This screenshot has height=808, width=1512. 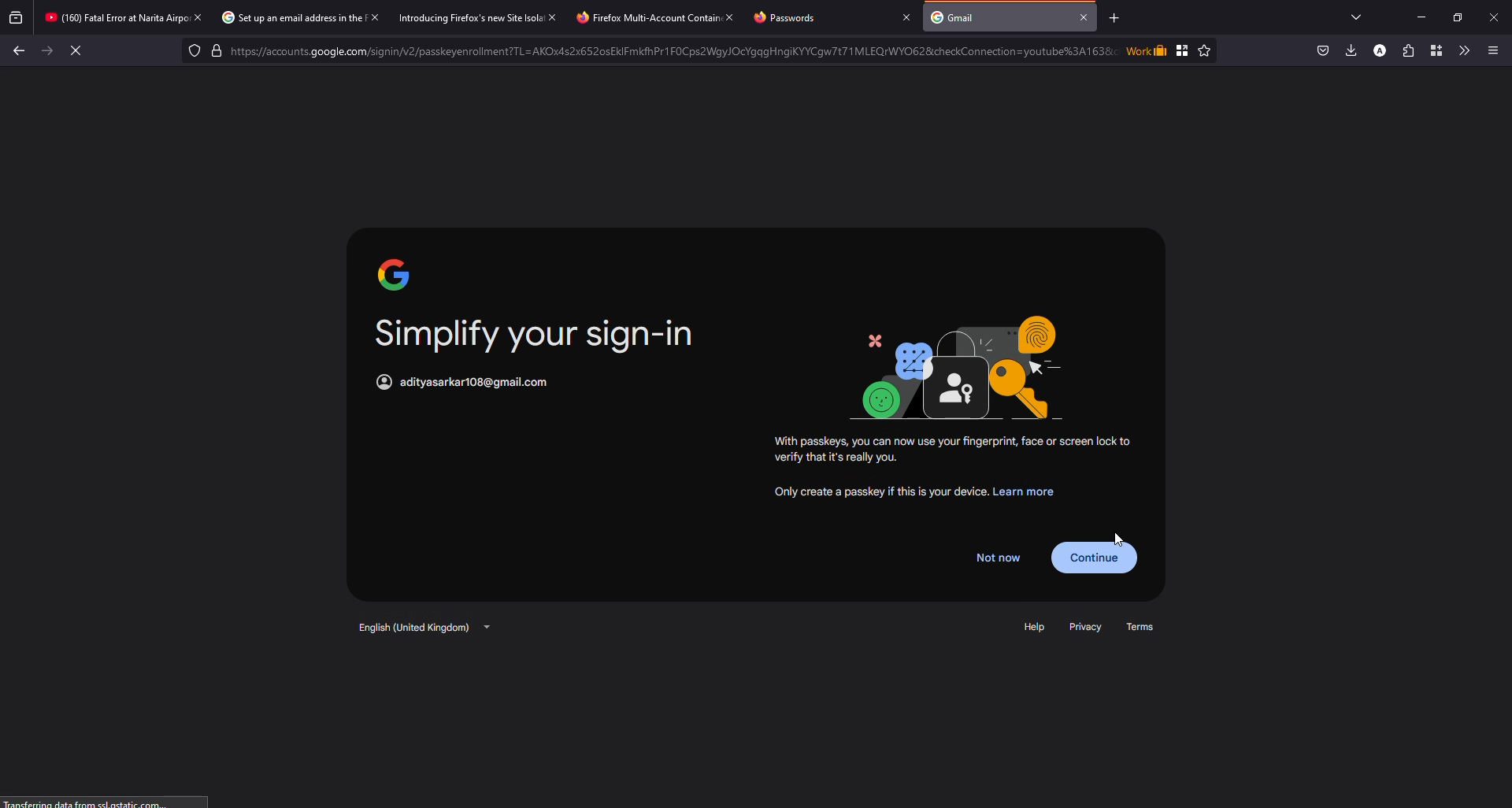 I want to click on Tracking, so click(x=191, y=51).